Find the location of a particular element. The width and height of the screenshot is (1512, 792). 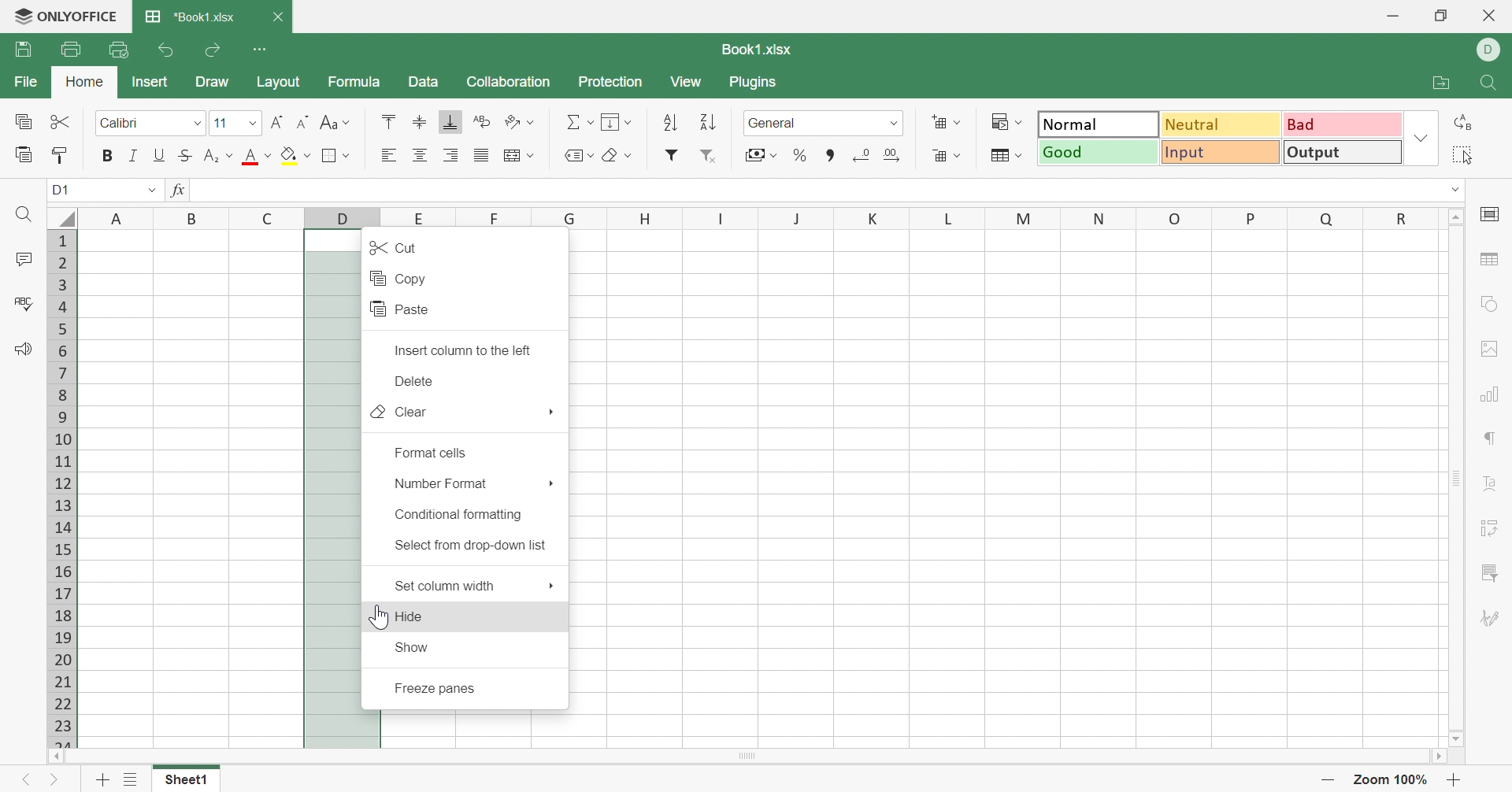

Add sheet is located at coordinates (99, 779).